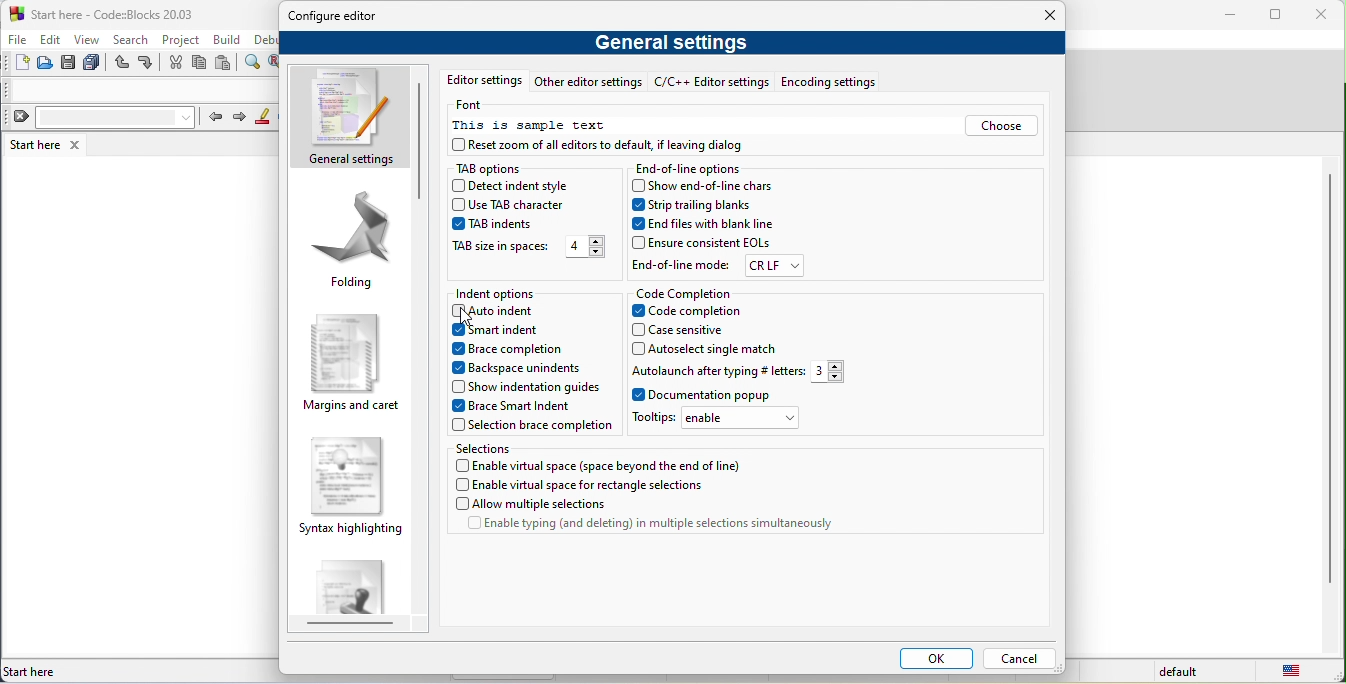  Describe the element at coordinates (517, 186) in the screenshot. I see `direct indent style` at that location.